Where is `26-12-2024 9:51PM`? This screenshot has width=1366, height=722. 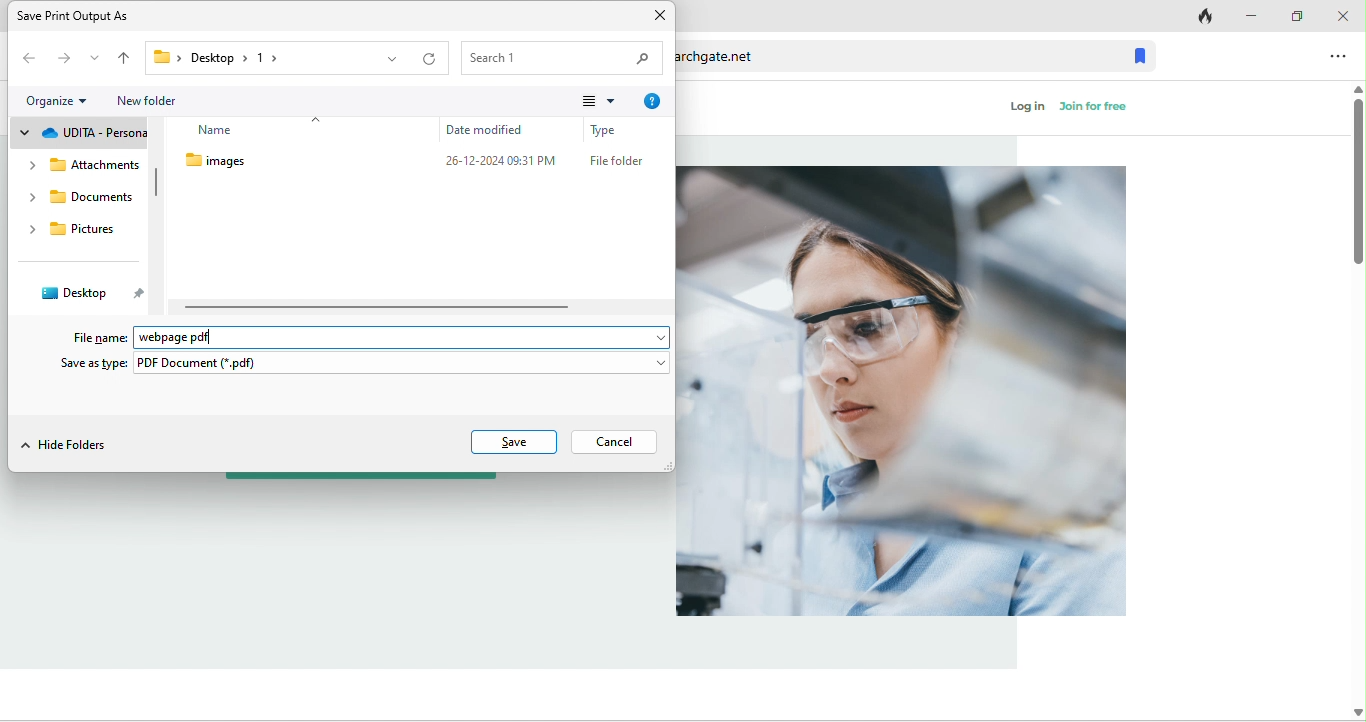 26-12-2024 9:51PM is located at coordinates (503, 163).